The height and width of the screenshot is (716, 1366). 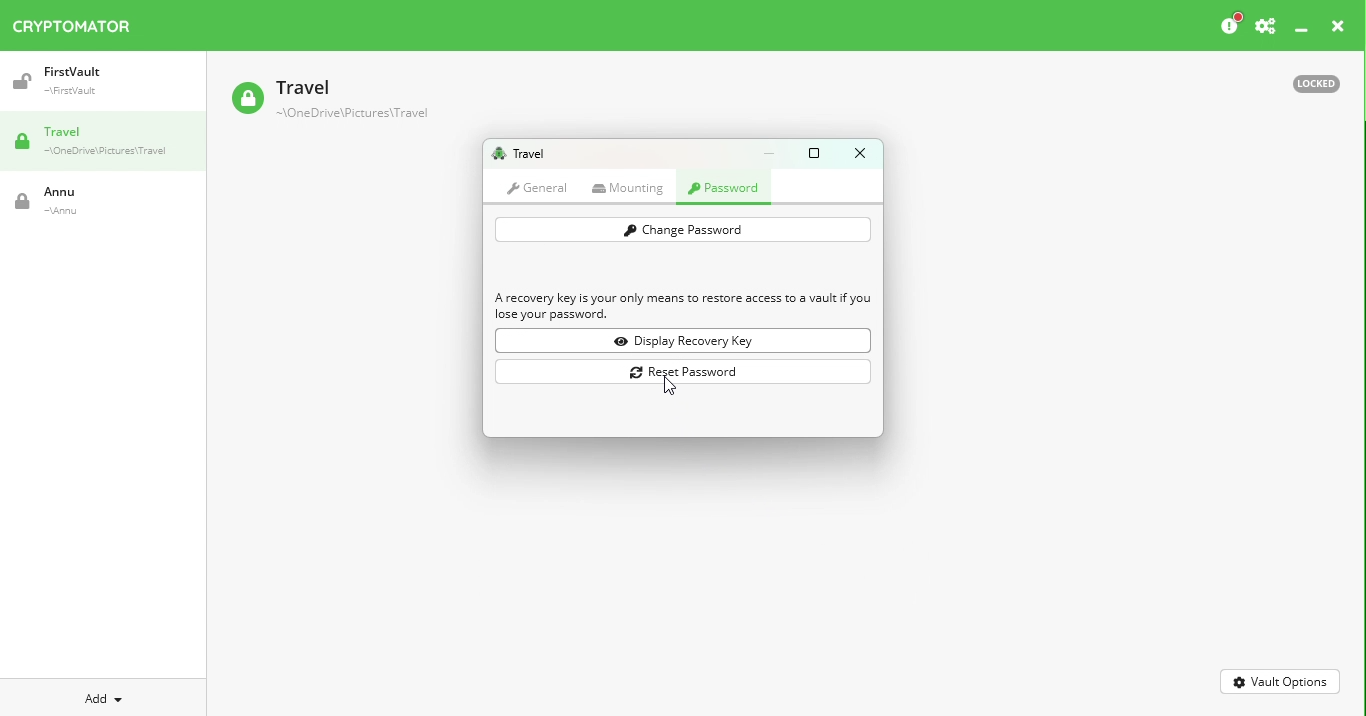 What do you see at coordinates (85, 201) in the screenshot?
I see `Vault` at bounding box center [85, 201].